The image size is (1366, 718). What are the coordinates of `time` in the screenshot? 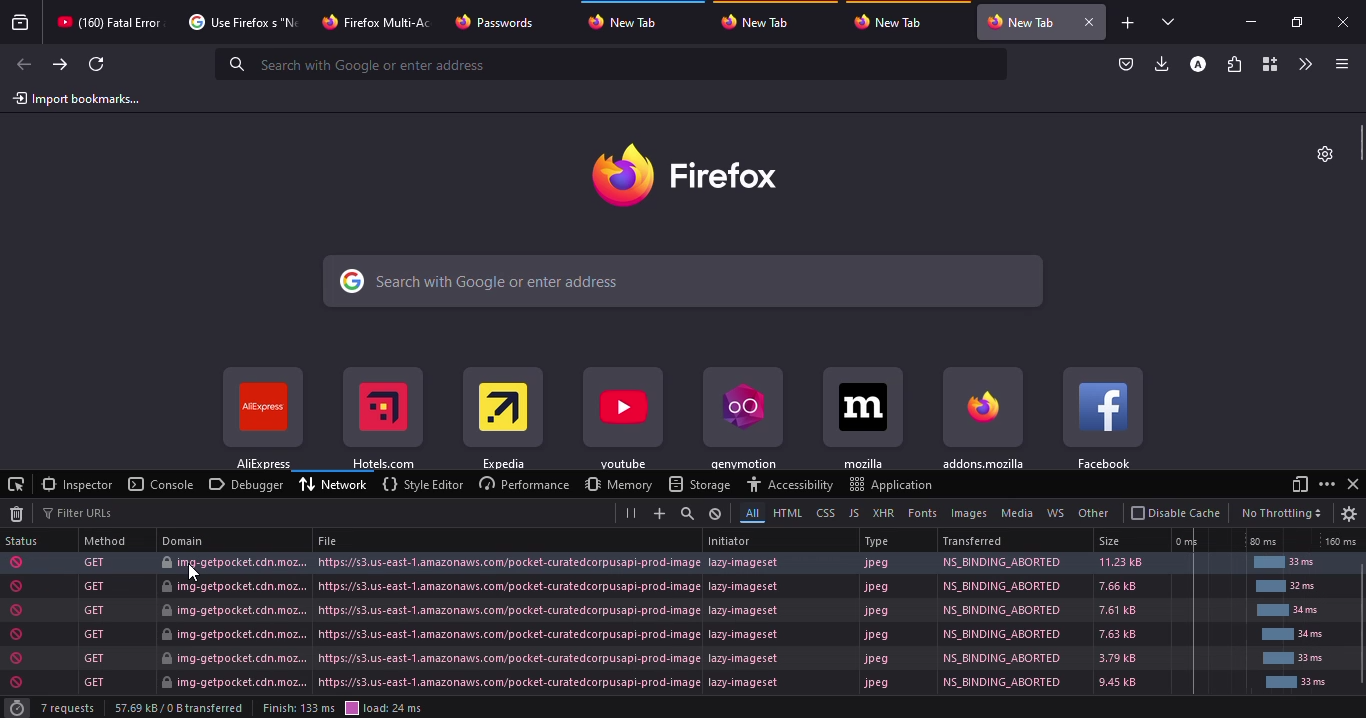 It's located at (16, 708).